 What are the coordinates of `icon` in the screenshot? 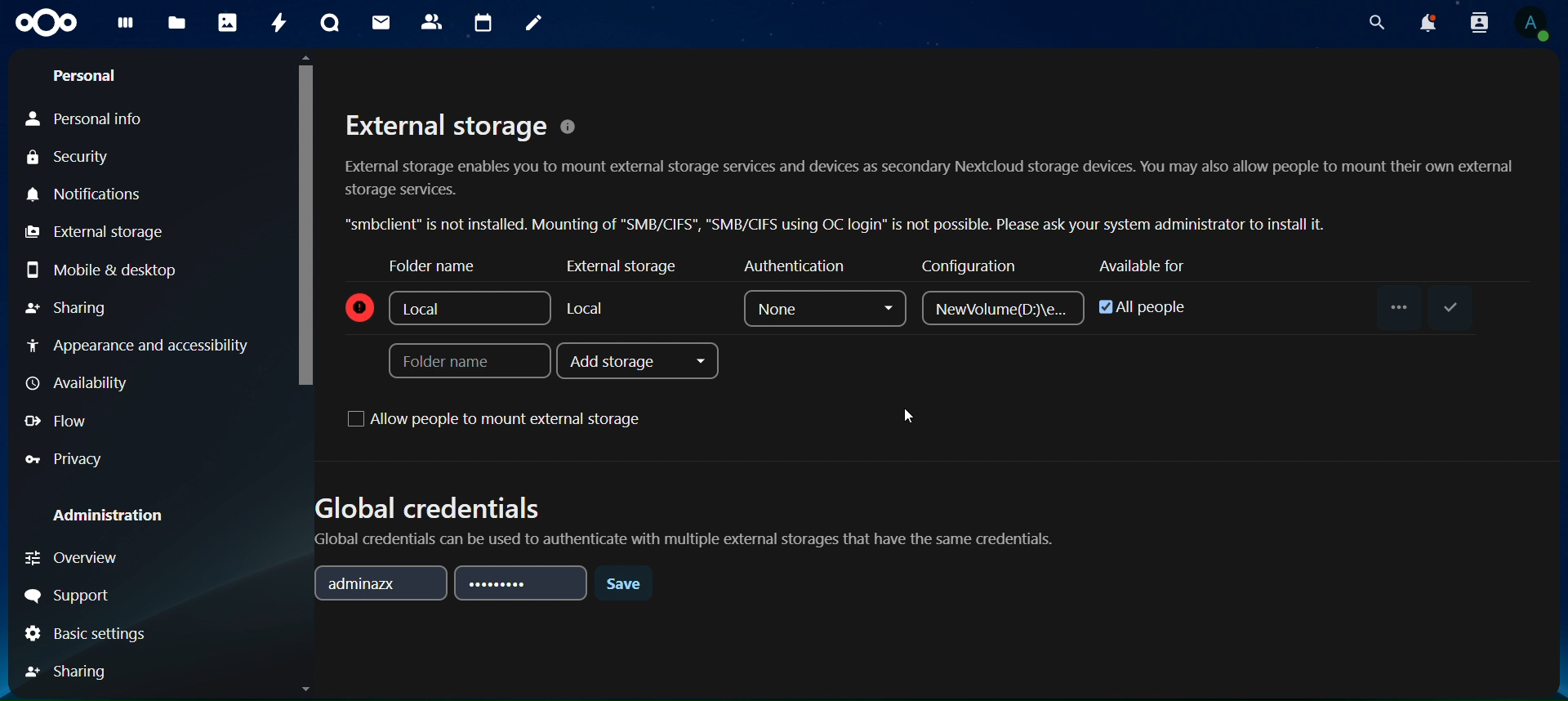 It's located at (359, 307).